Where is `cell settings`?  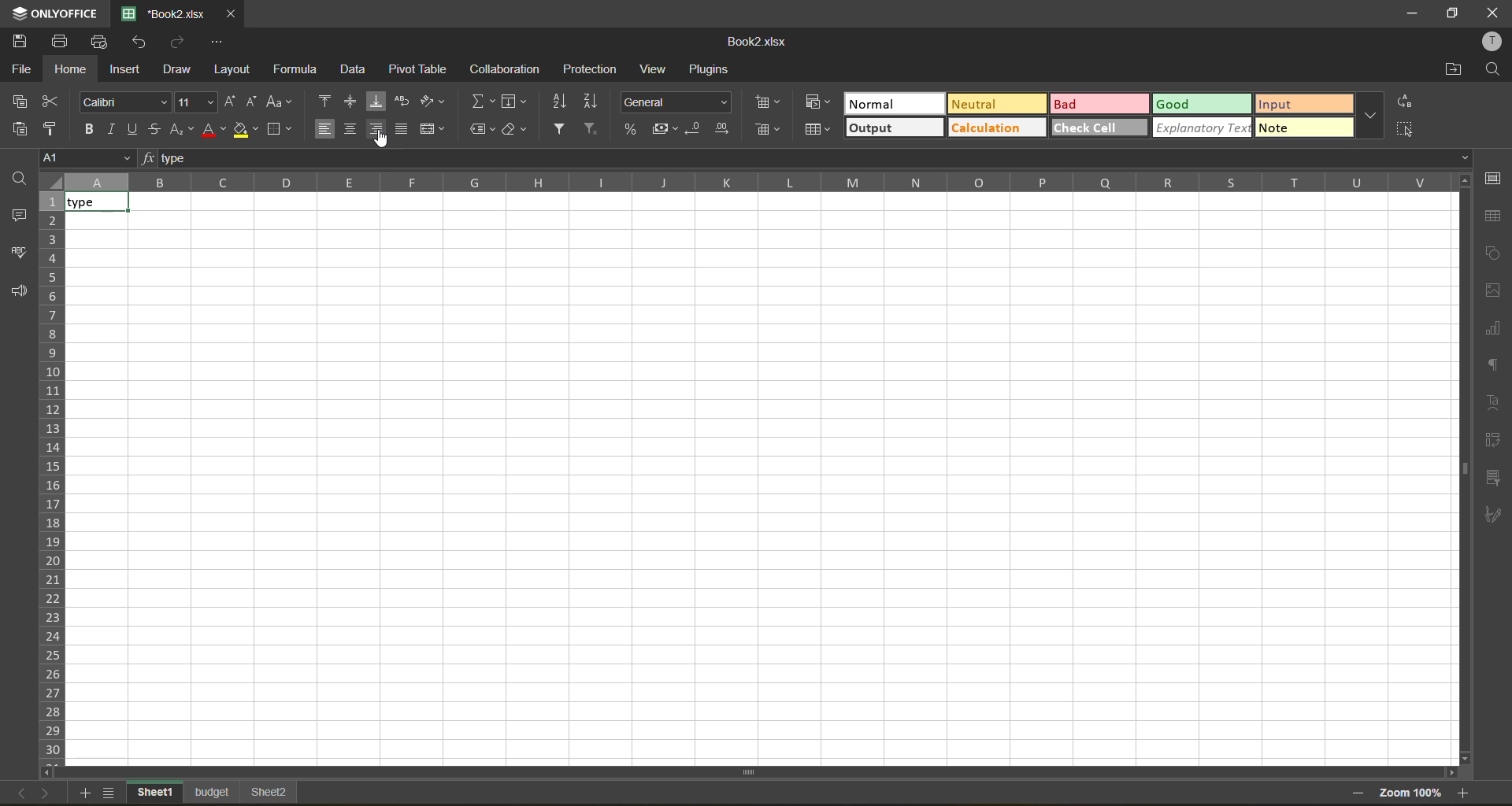
cell settings is located at coordinates (1494, 178).